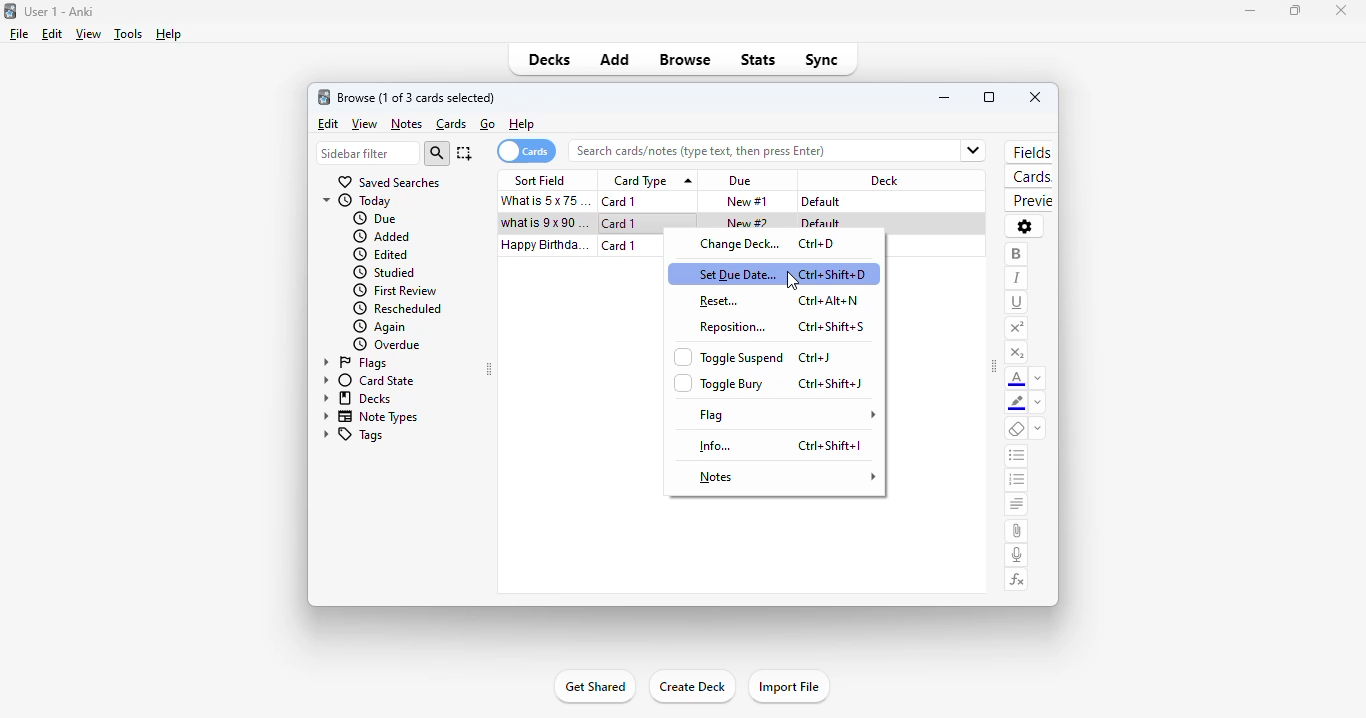  What do you see at coordinates (1025, 227) in the screenshot?
I see `options` at bounding box center [1025, 227].